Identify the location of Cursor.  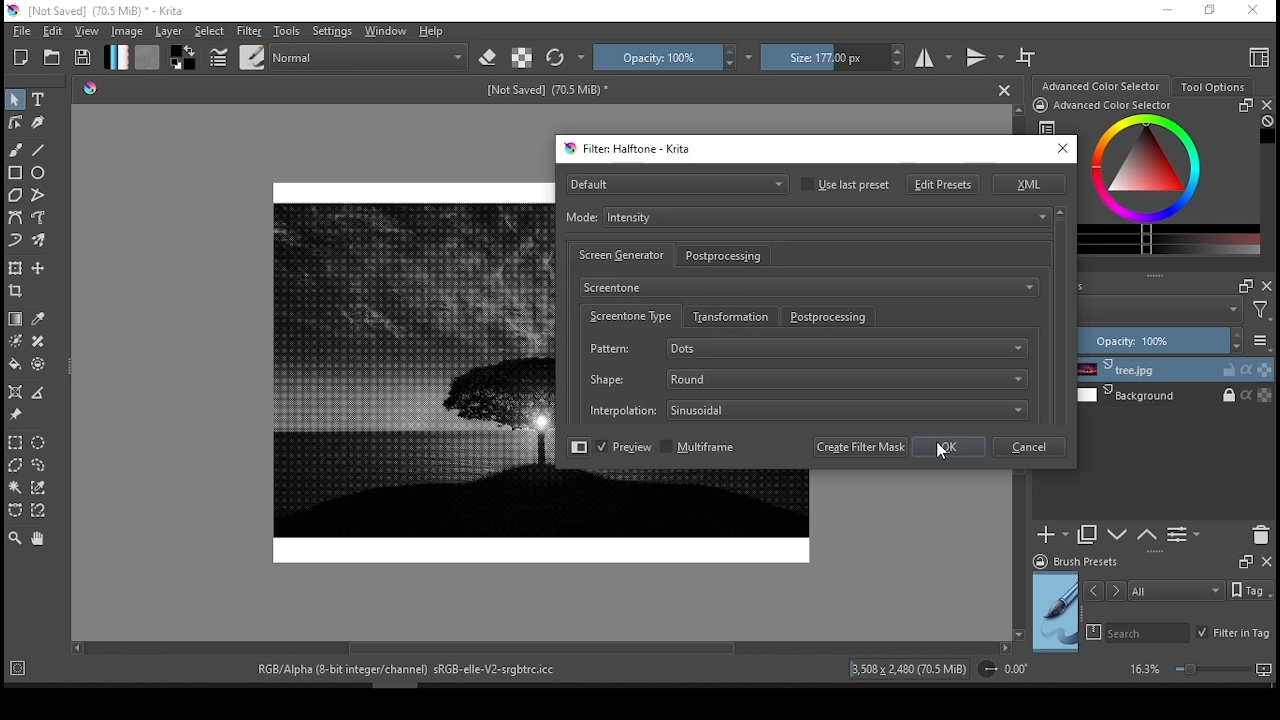
(946, 457).